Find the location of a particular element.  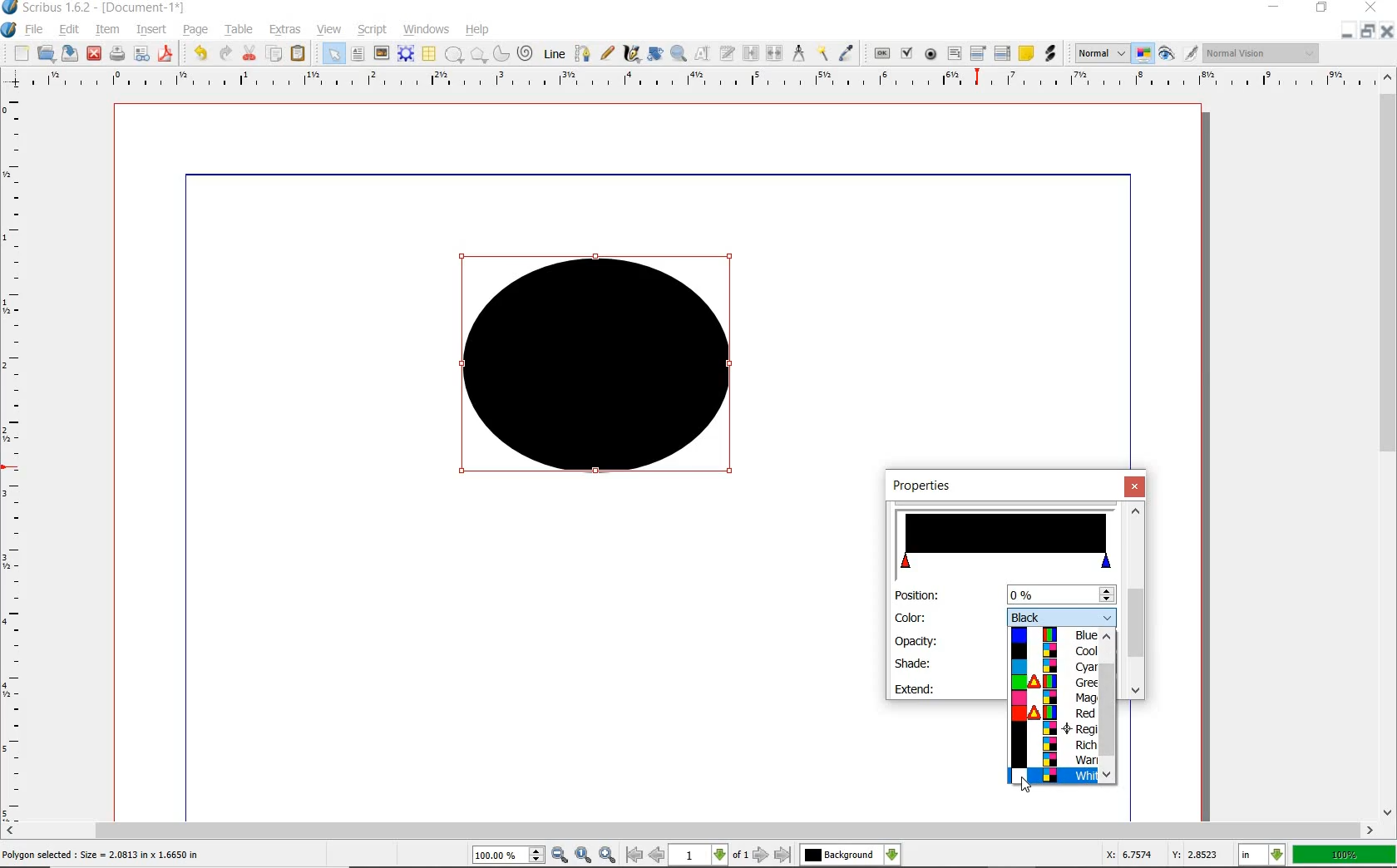

ROTATE ITEM is located at coordinates (654, 52).